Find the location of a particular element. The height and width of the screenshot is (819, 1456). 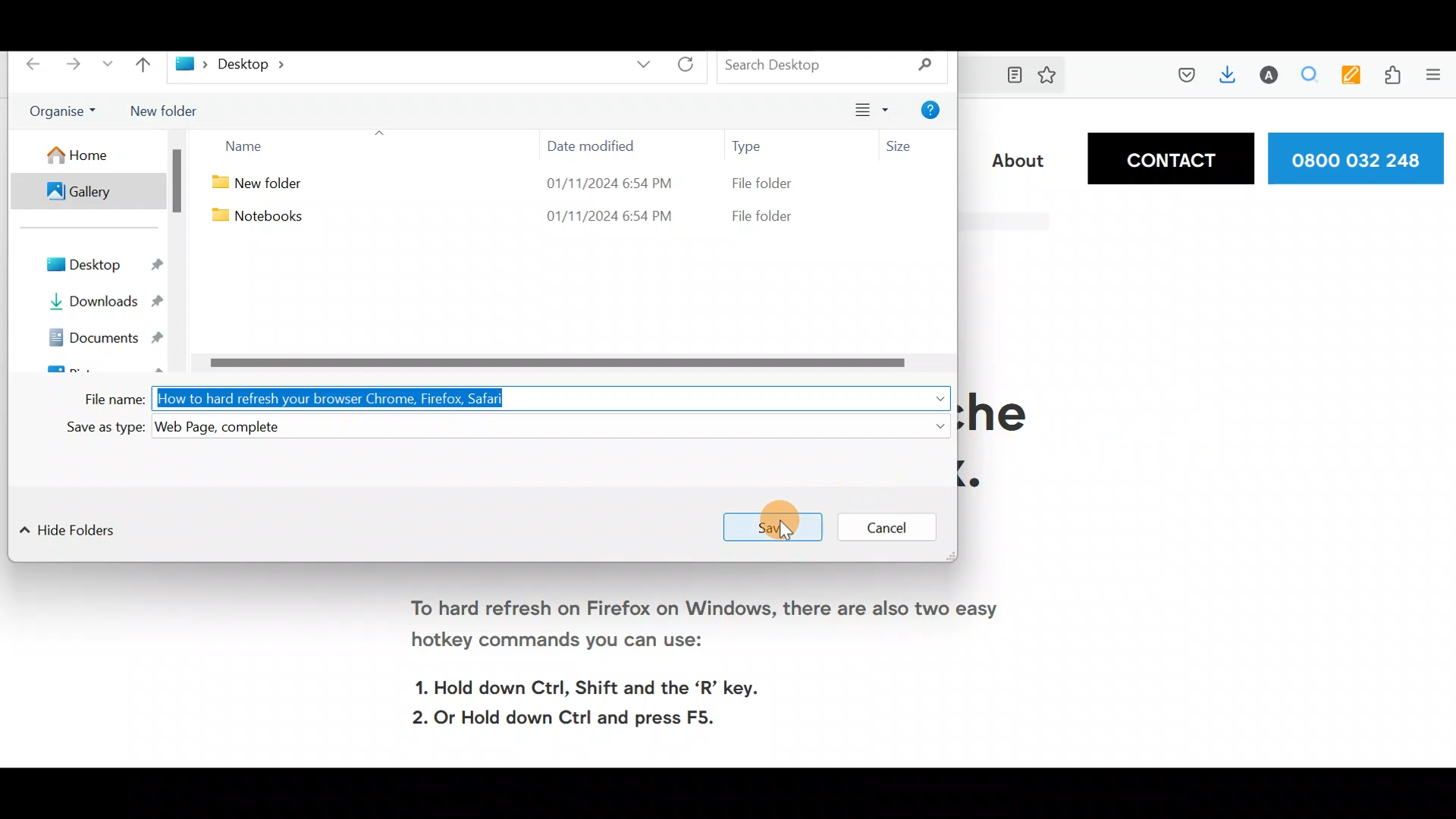

Documents is located at coordinates (116, 340).